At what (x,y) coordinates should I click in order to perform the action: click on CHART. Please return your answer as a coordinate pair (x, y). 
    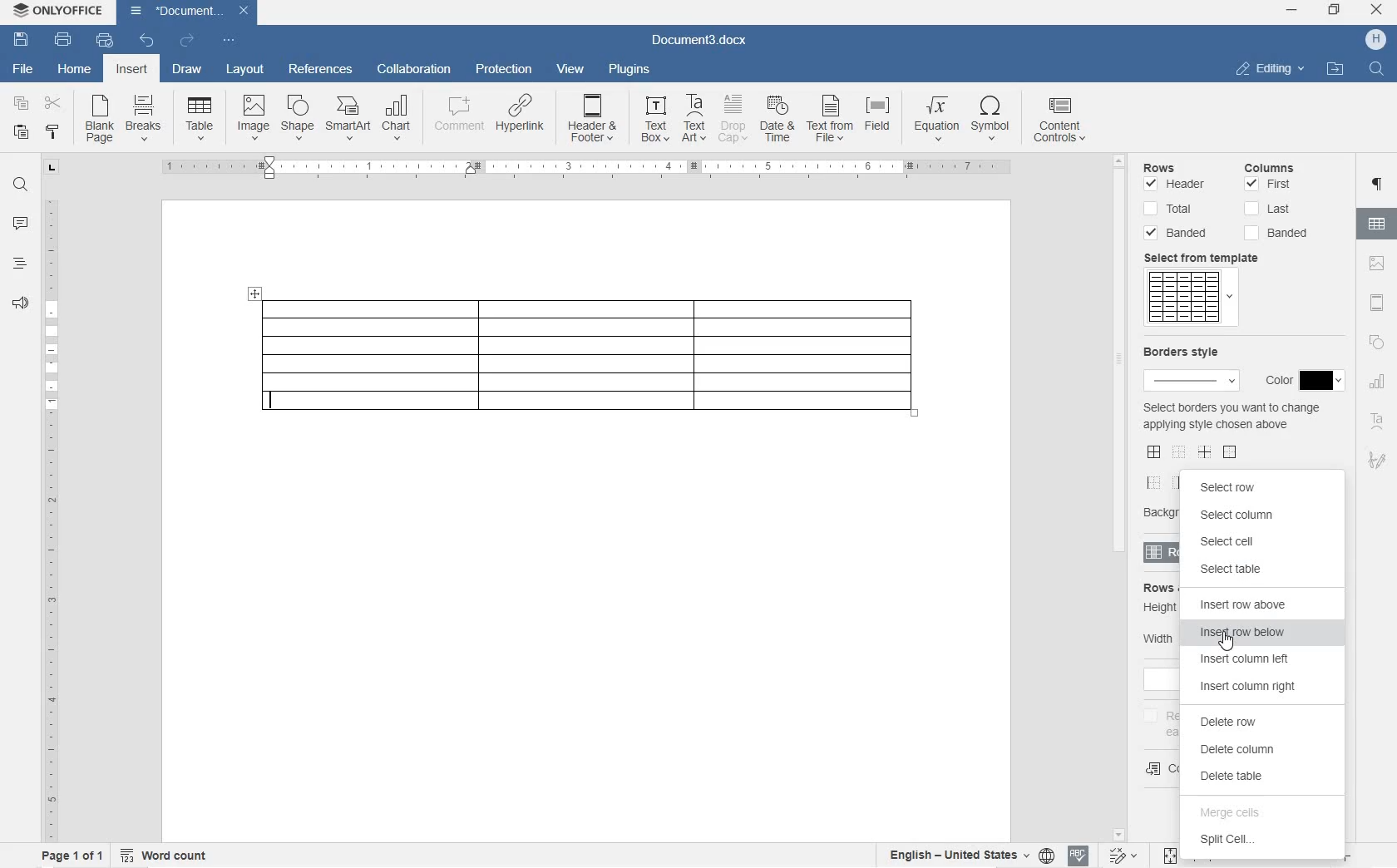
    Looking at the image, I should click on (396, 121).